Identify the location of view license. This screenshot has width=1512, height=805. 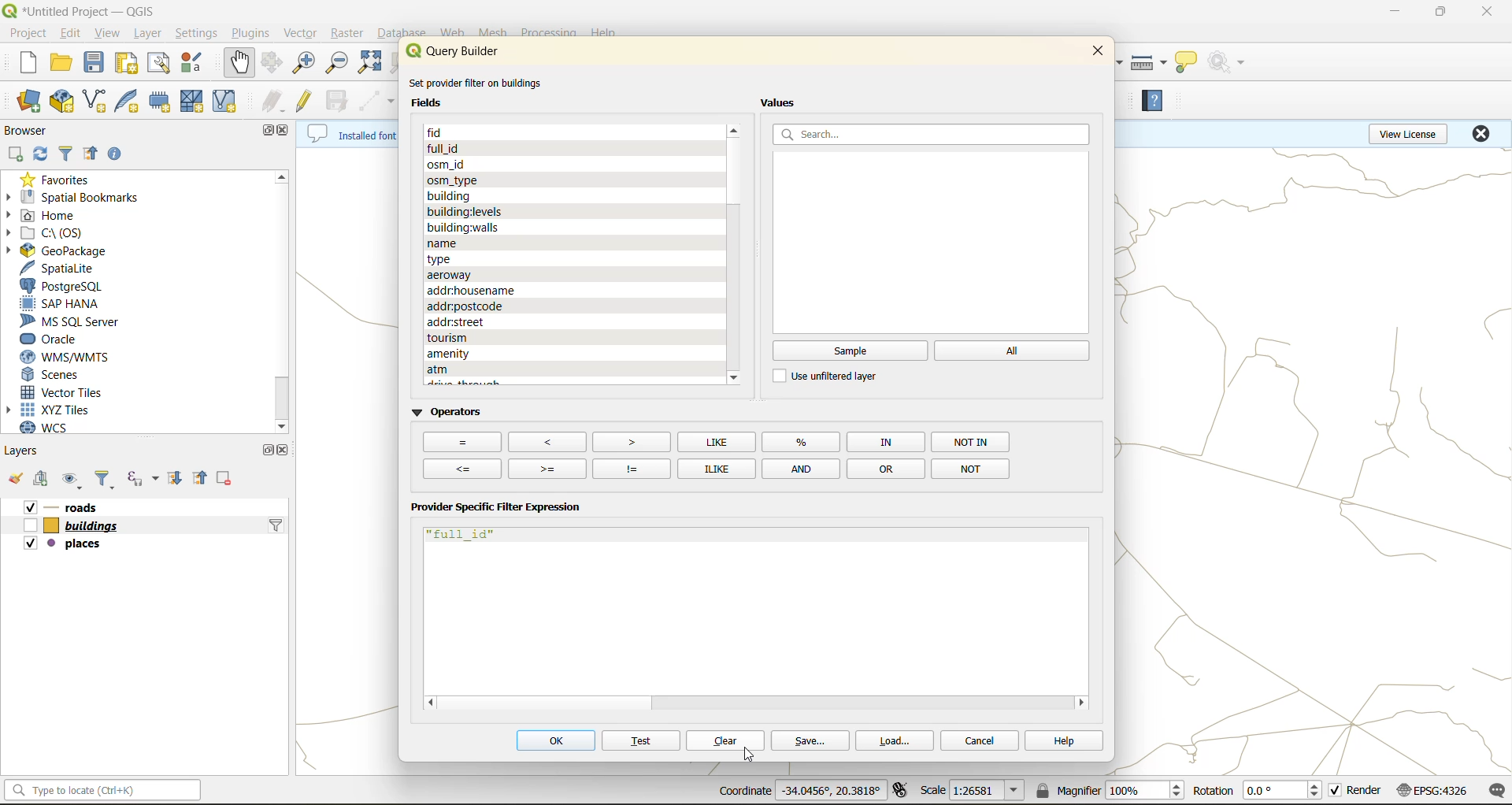
(1406, 136).